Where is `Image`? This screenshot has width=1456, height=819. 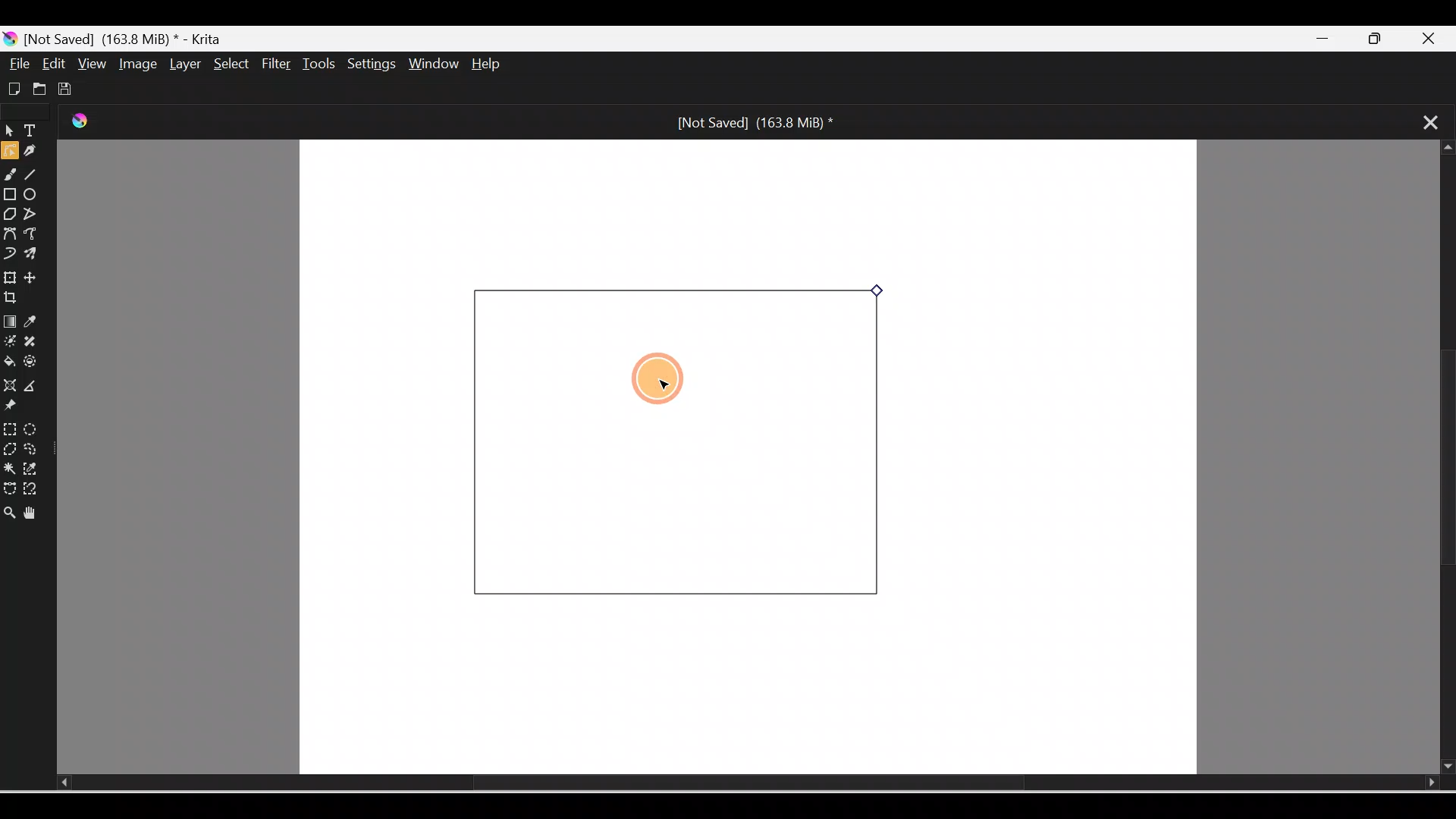
Image is located at coordinates (135, 64).